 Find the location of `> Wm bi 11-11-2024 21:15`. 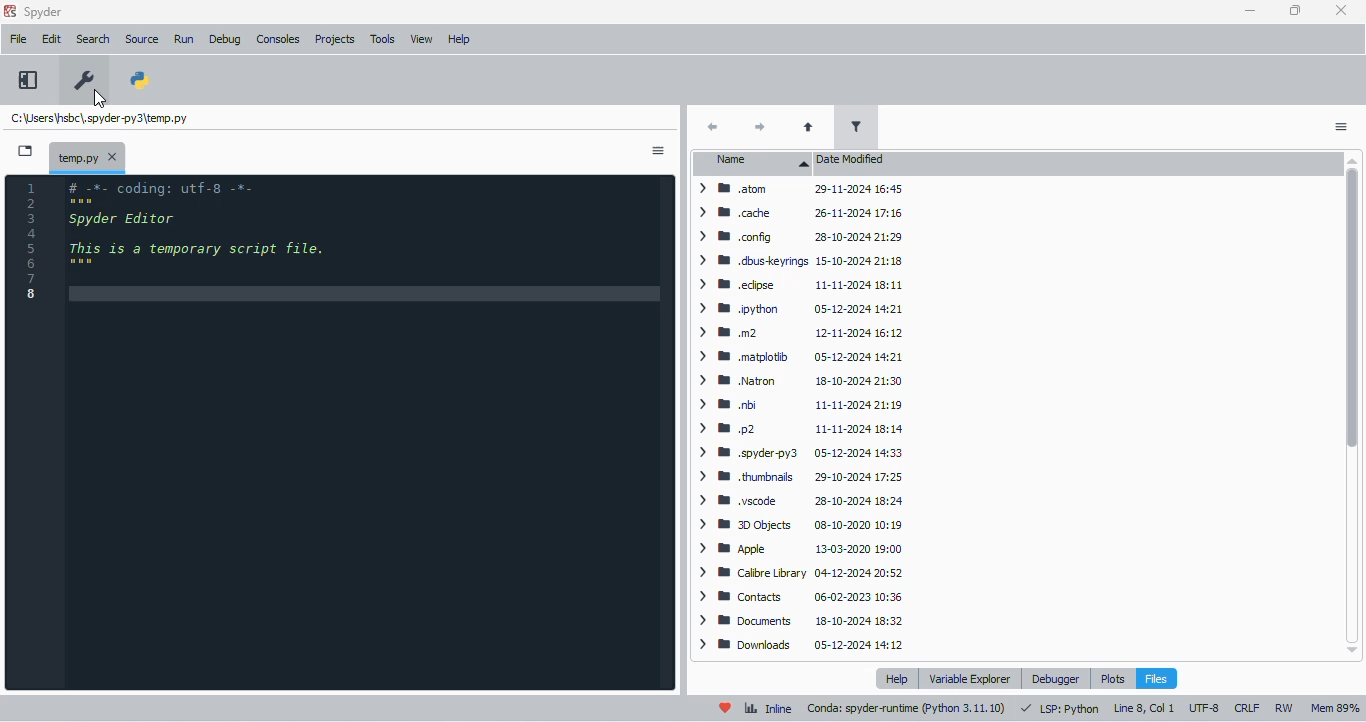

> Wm bi 11-11-2024 21:15 is located at coordinates (799, 405).